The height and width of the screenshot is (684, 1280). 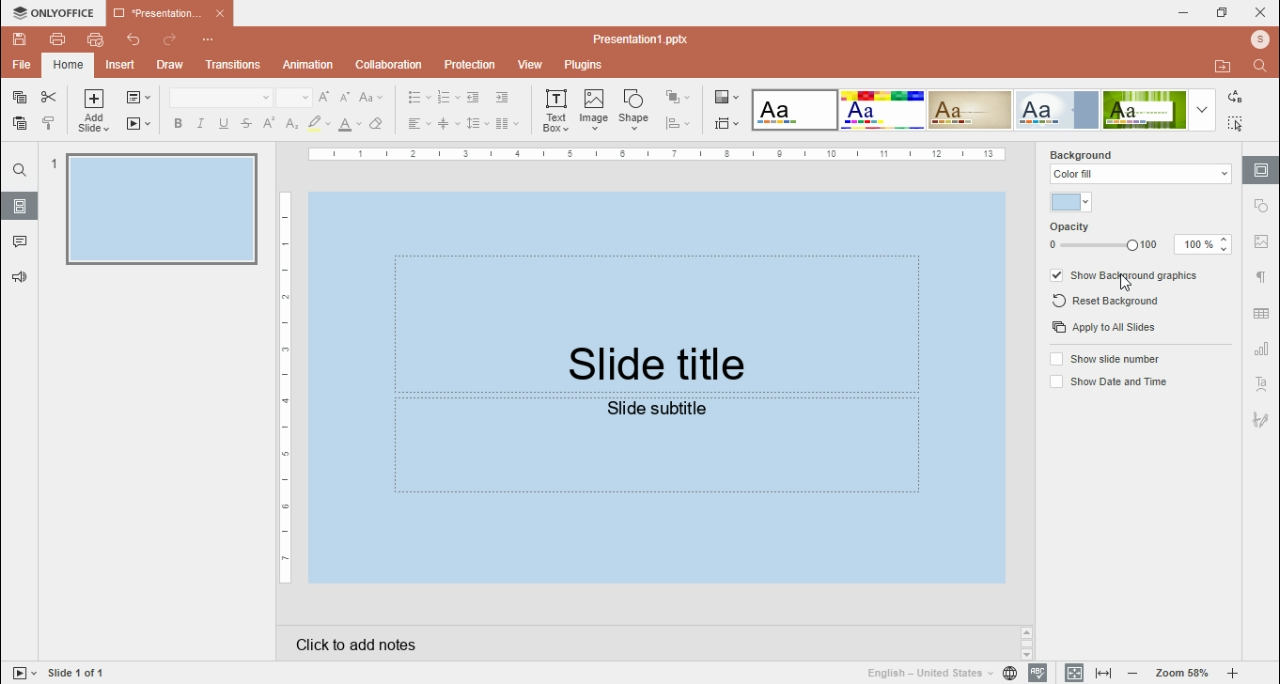 I want to click on slide number, so click(x=83, y=671).